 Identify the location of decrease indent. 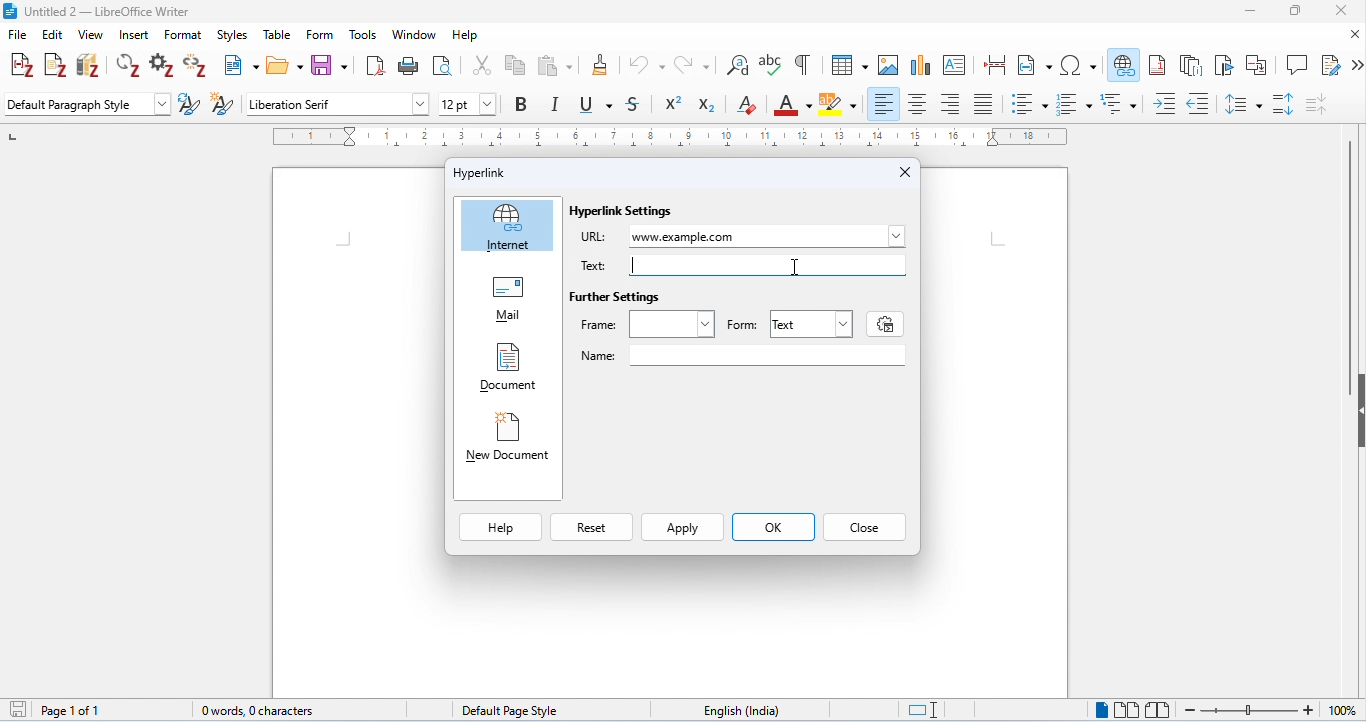
(1200, 102).